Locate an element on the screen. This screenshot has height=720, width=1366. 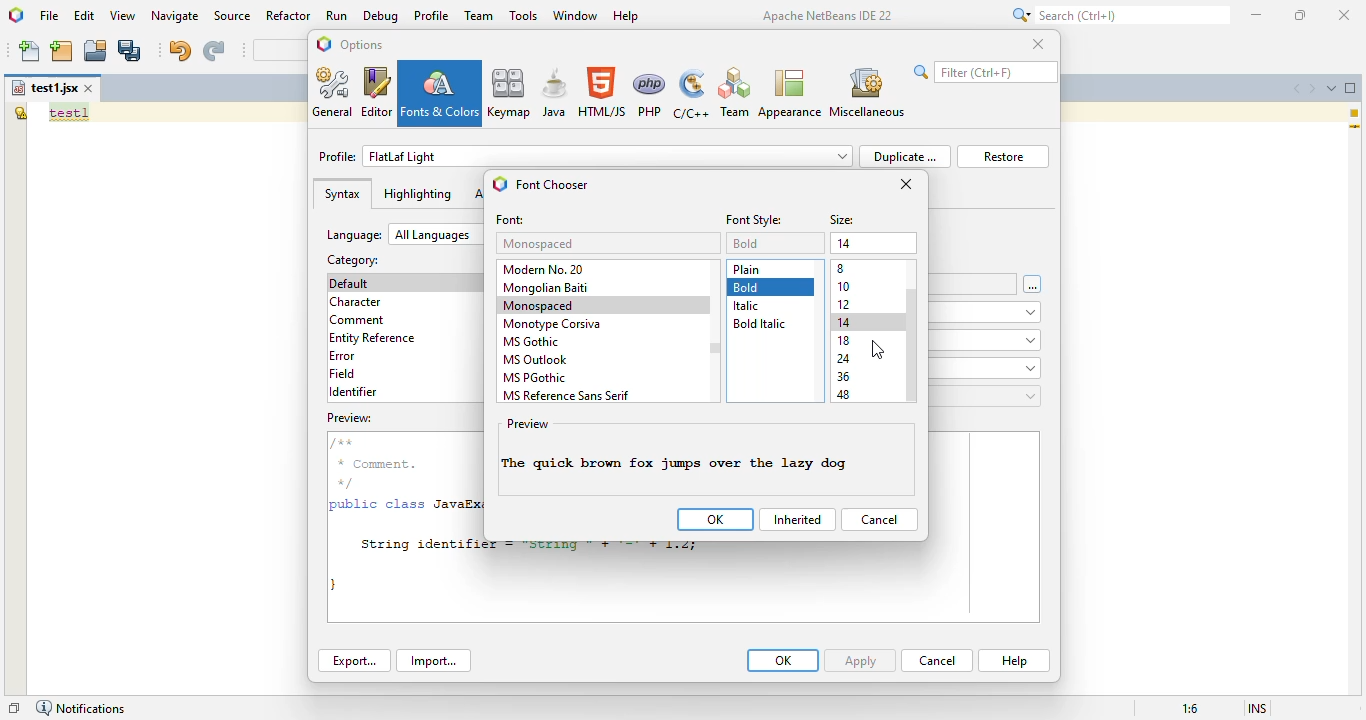
monospaced is located at coordinates (540, 244).